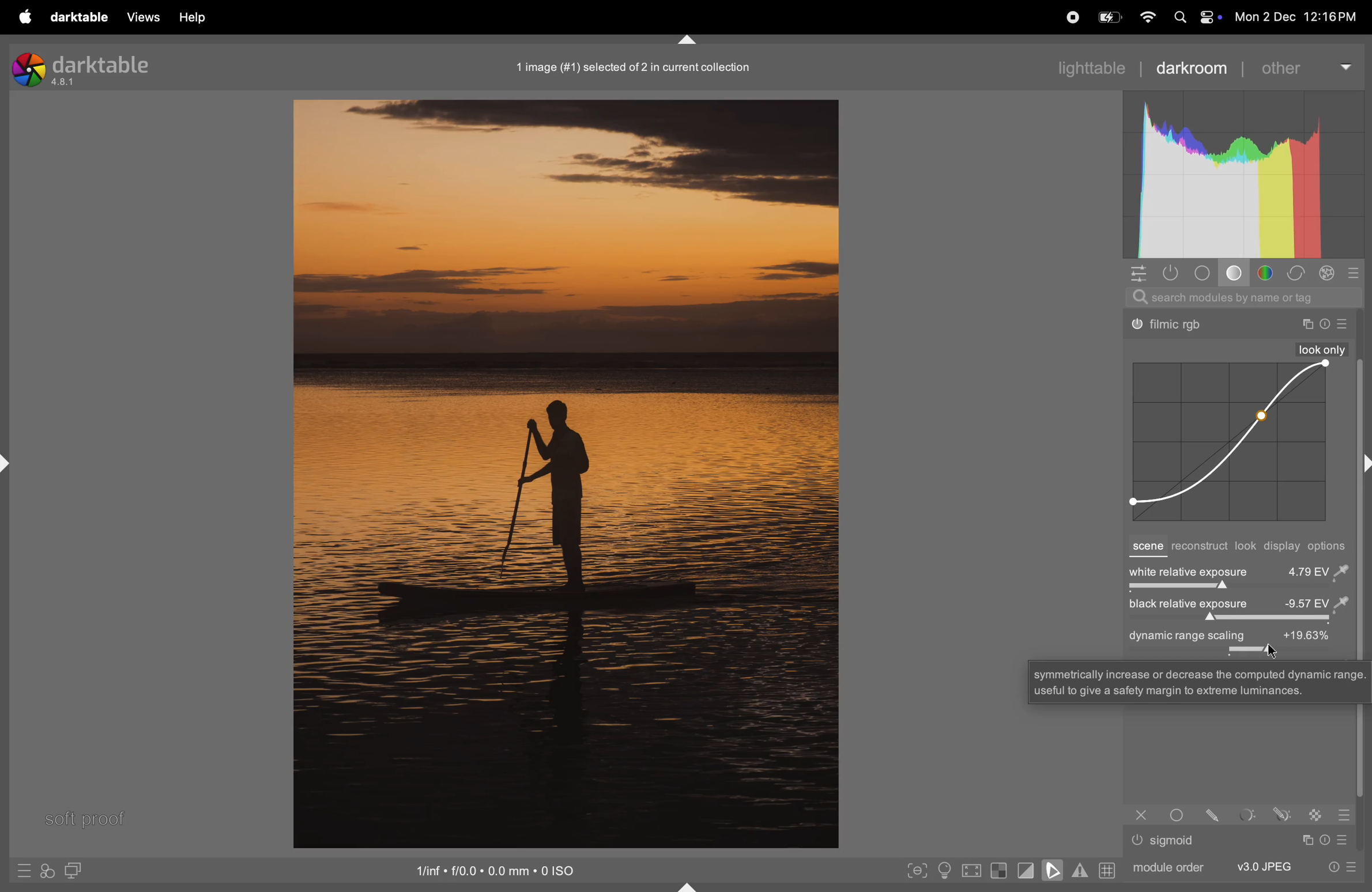 The width and height of the screenshot is (1372, 892). What do you see at coordinates (1069, 16) in the screenshot?
I see `record` at bounding box center [1069, 16].